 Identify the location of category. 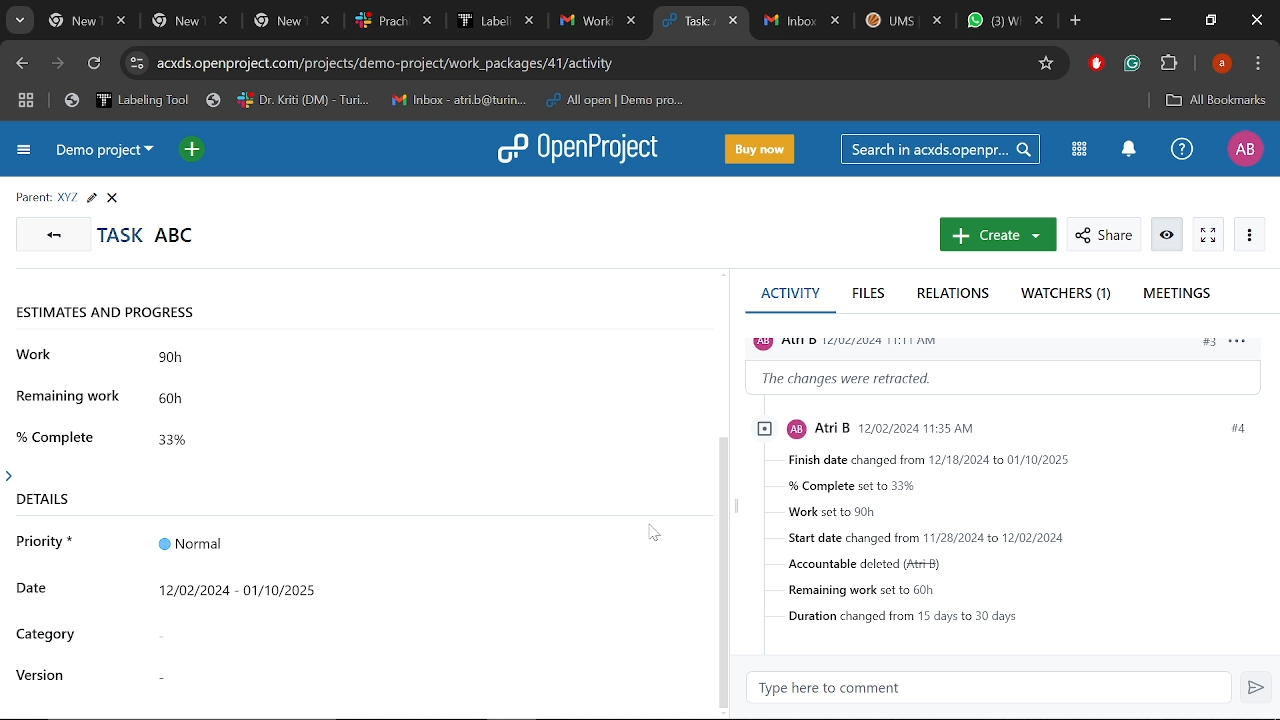
(47, 636).